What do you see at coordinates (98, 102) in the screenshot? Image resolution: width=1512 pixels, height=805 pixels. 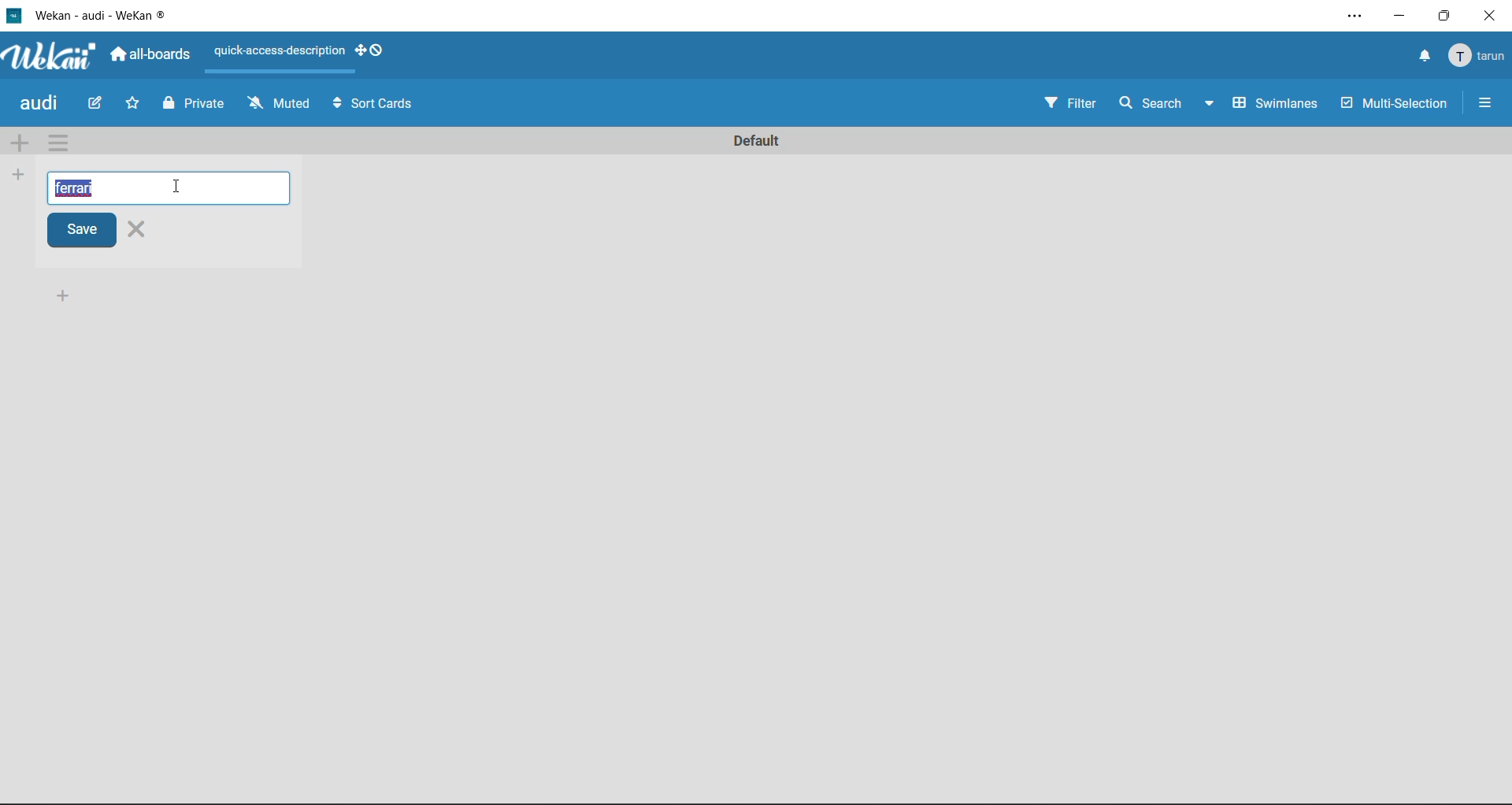 I see `` at bounding box center [98, 102].